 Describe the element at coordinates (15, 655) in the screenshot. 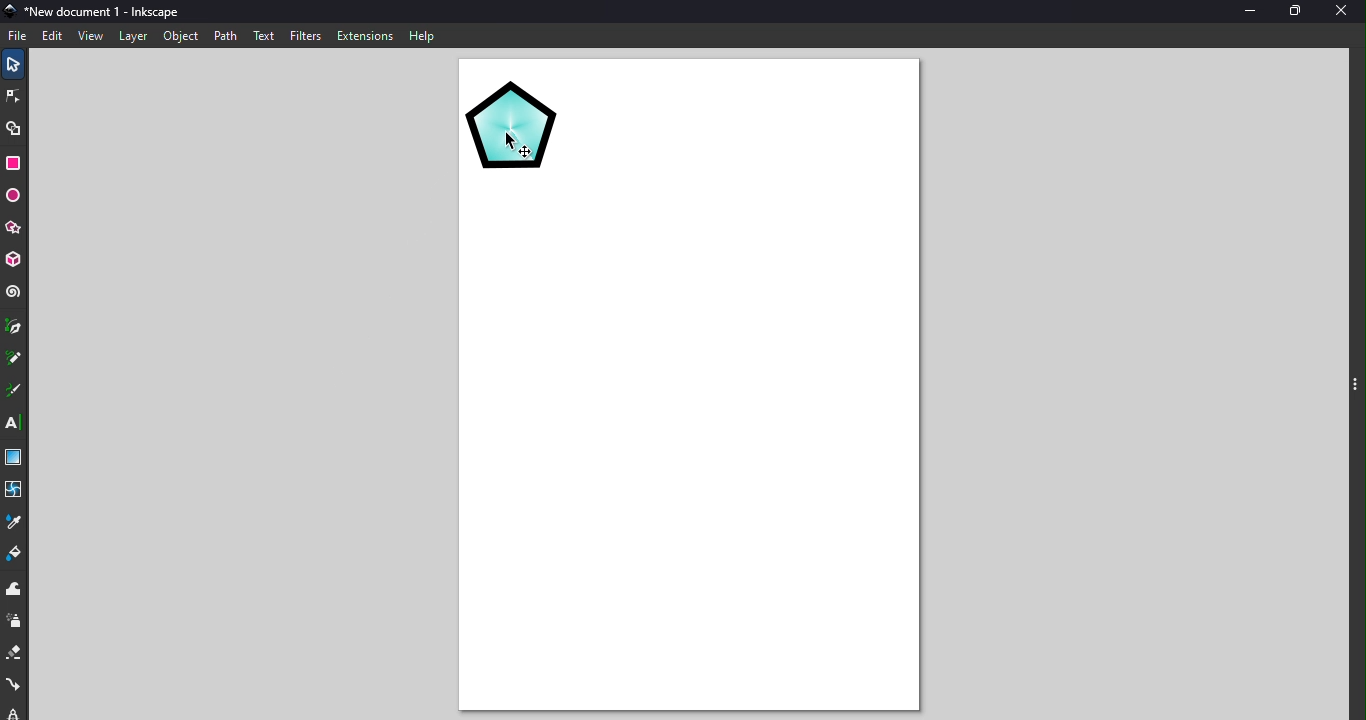

I see `Eraser tool` at that location.